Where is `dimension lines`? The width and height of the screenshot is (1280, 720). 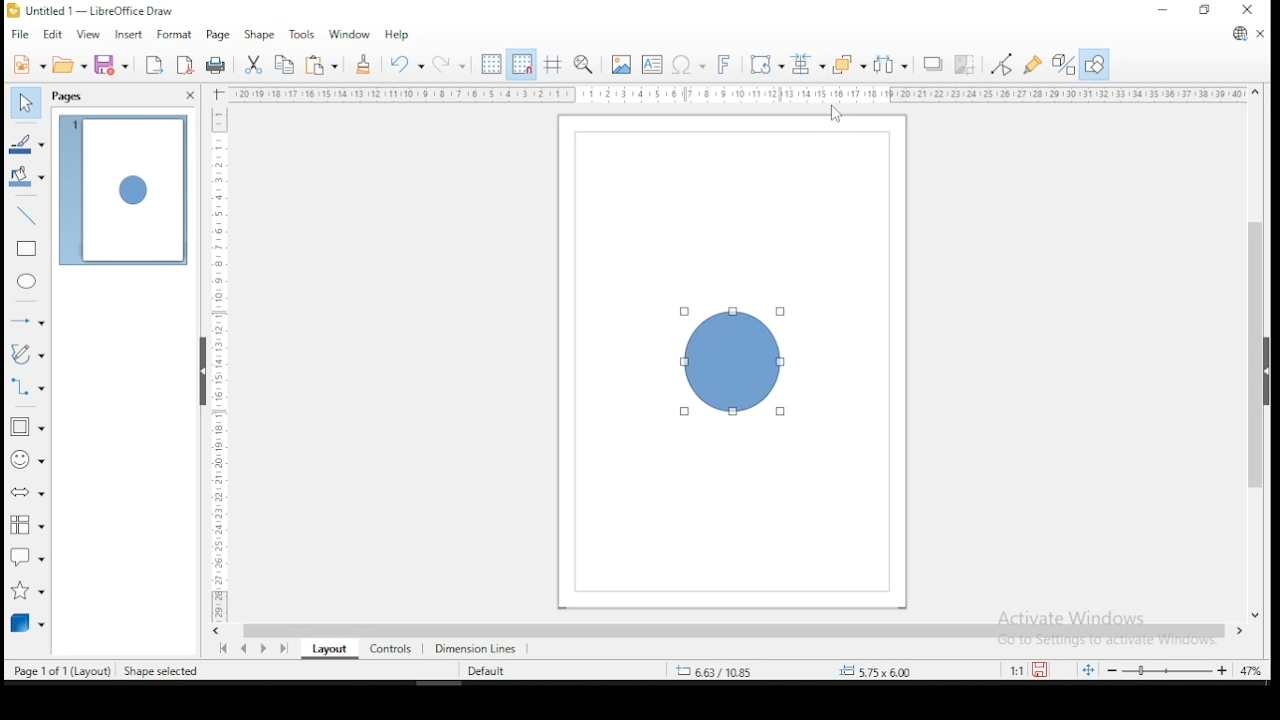 dimension lines is located at coordinates (476, 647).